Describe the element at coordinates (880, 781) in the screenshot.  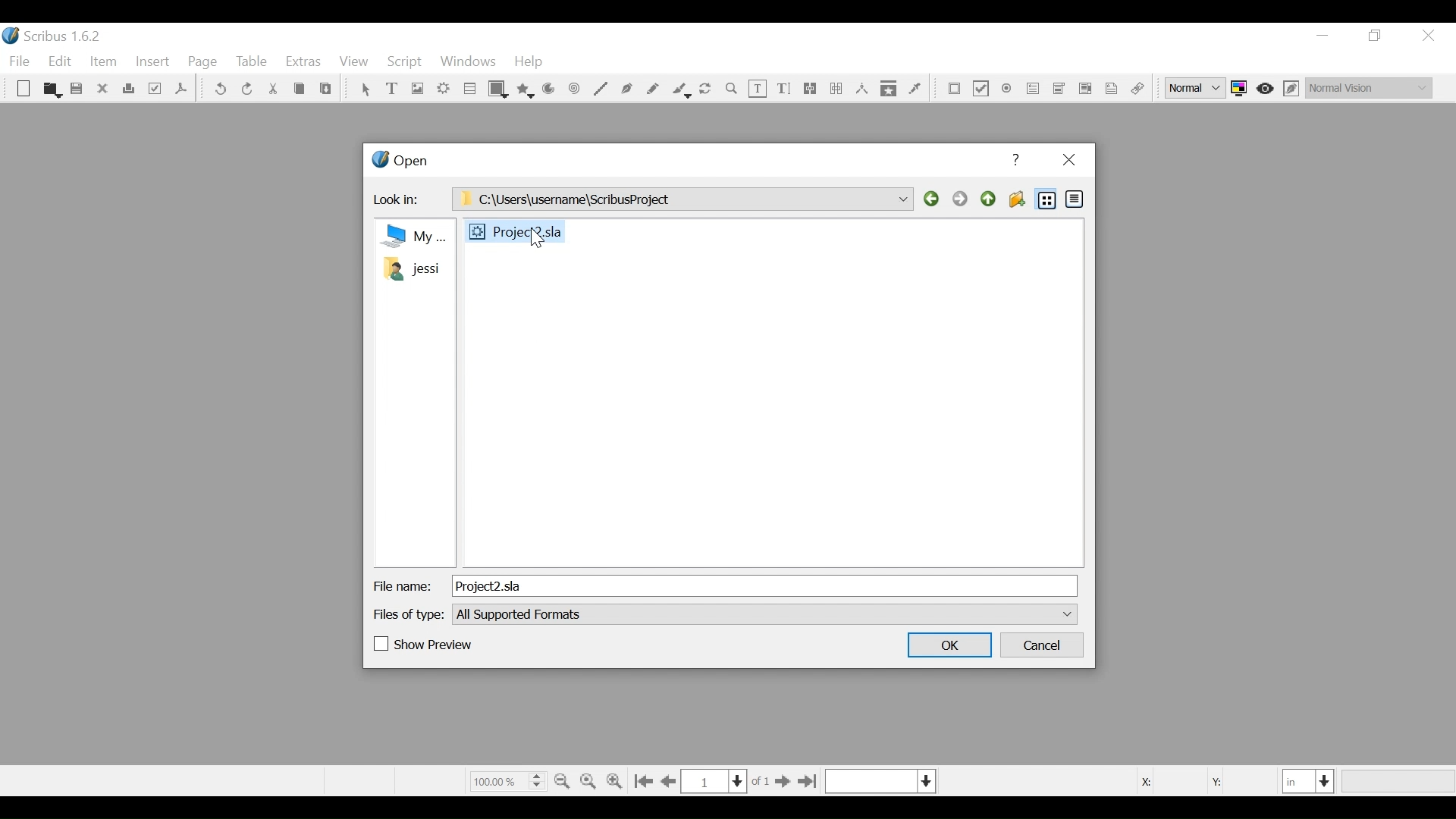
I see `Select the current layer` at that location.